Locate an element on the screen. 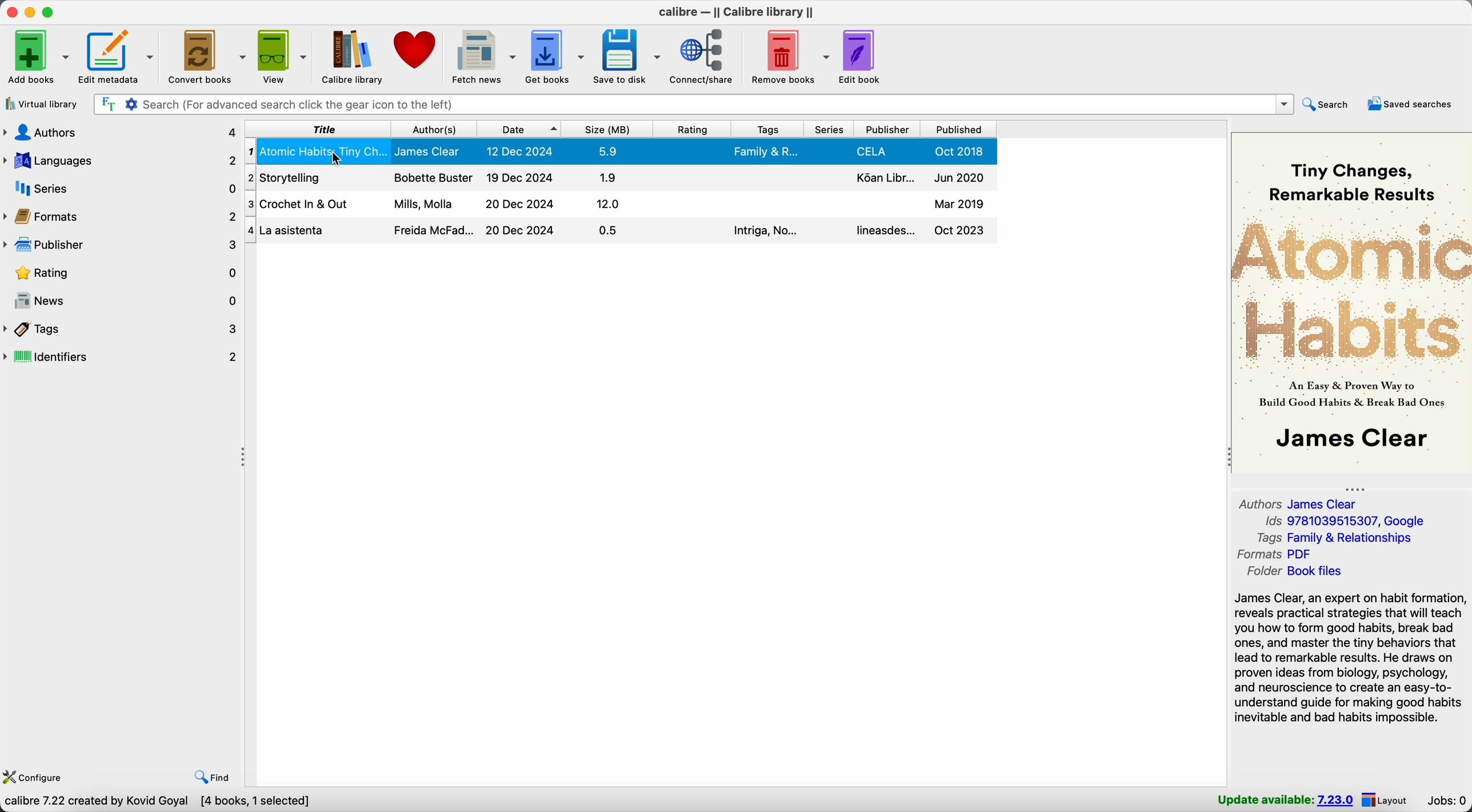 The width and height of the screenshot is (1472, 812). languages is located at coordinates (121, 159).